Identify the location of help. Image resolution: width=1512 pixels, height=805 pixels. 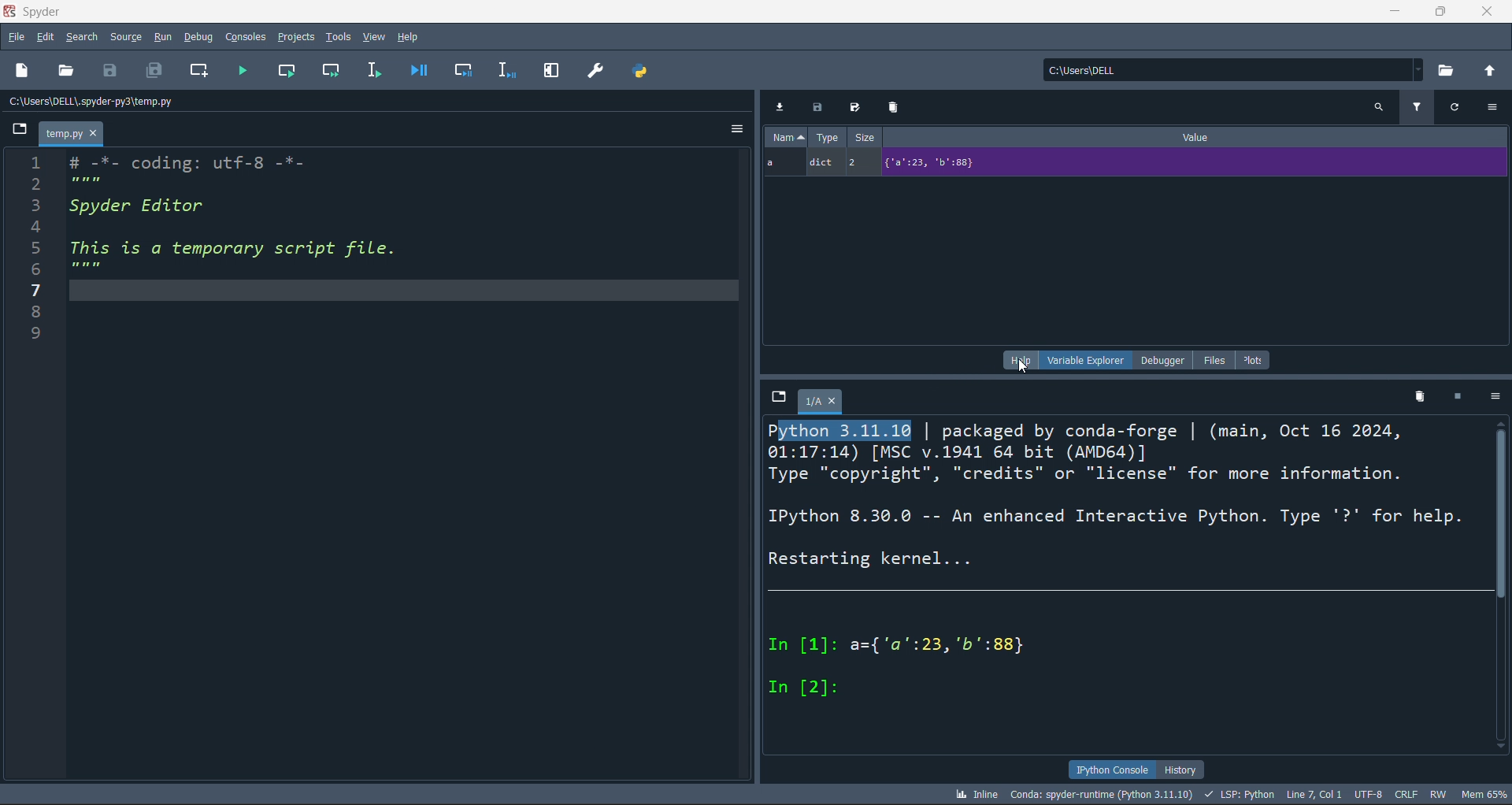
(1015, 361).